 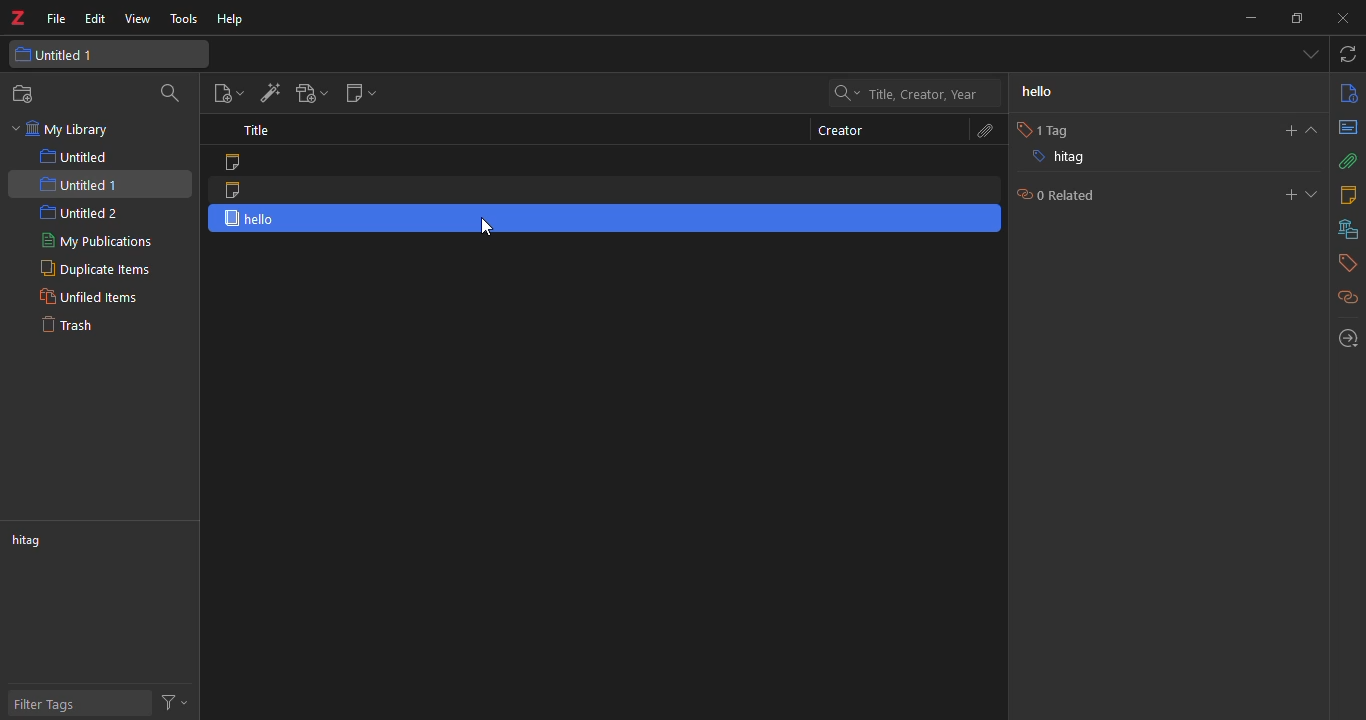 I want to click on untitled 1, so click(x=78, y=187).